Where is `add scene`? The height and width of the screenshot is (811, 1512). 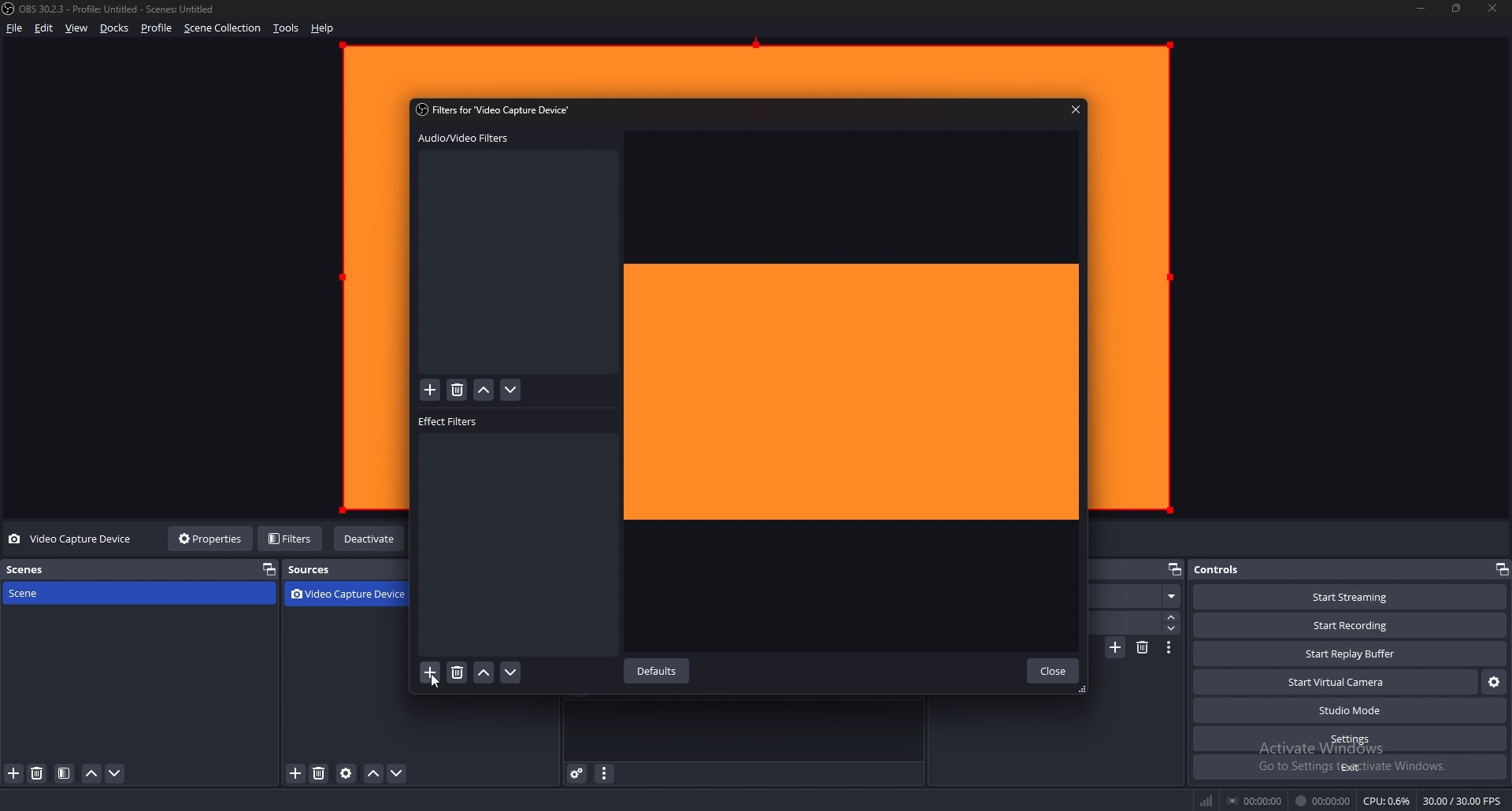
add scene is located at coordinates (14, 774).